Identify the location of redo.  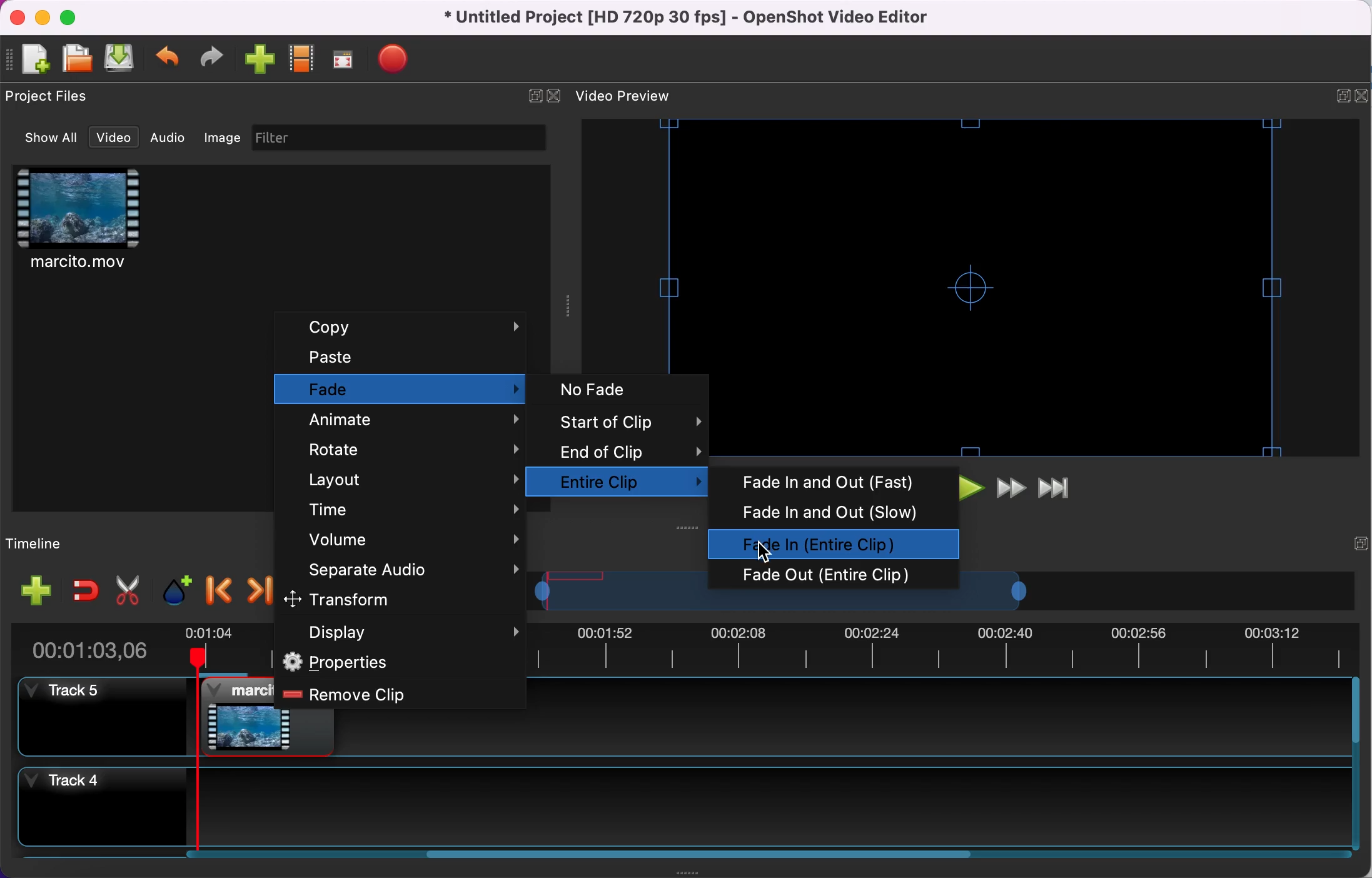
(210, 58).